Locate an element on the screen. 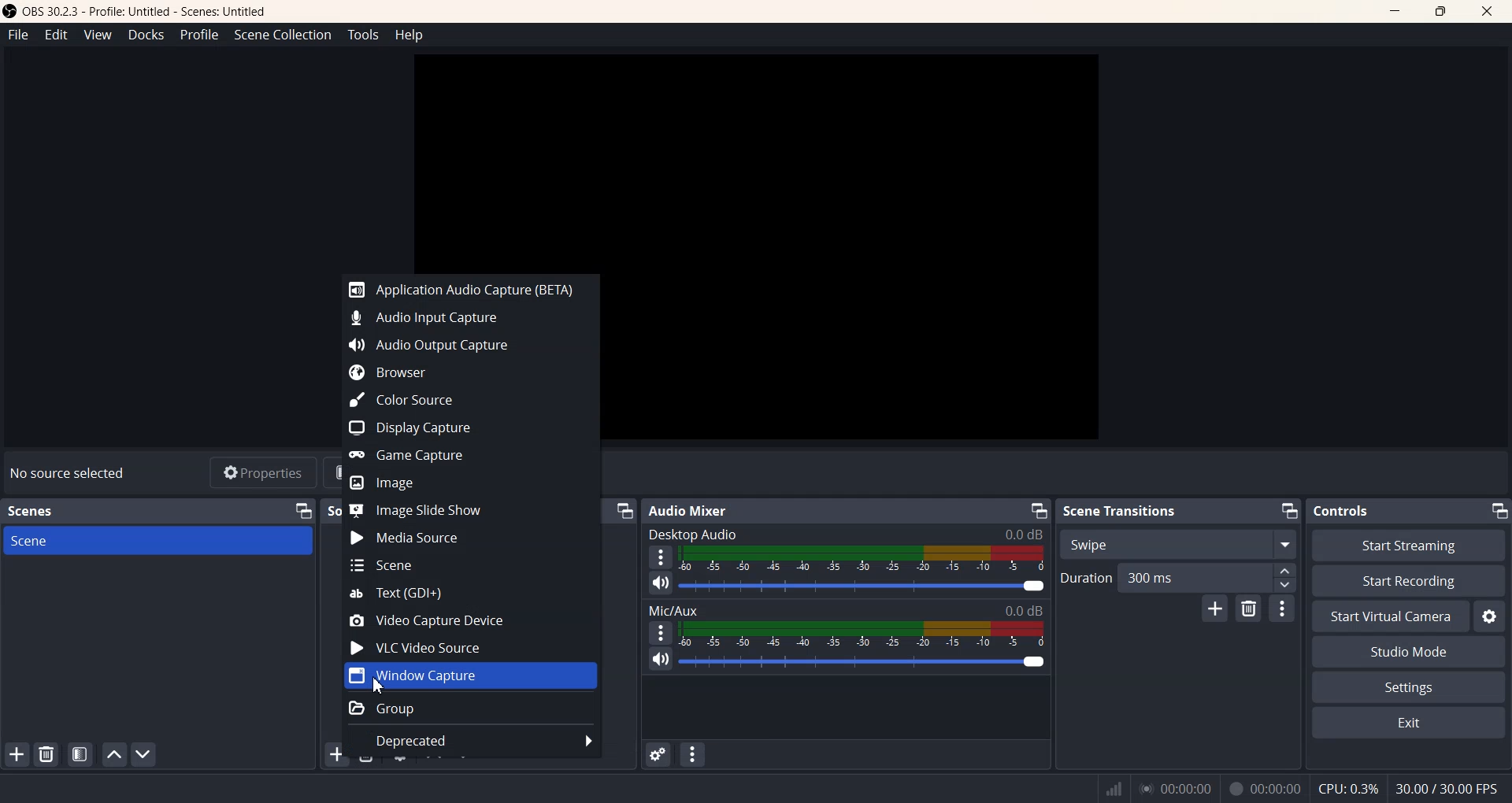 This screenshot has height=803, width=1512. Game Capture is located at coordinates (465, 453).